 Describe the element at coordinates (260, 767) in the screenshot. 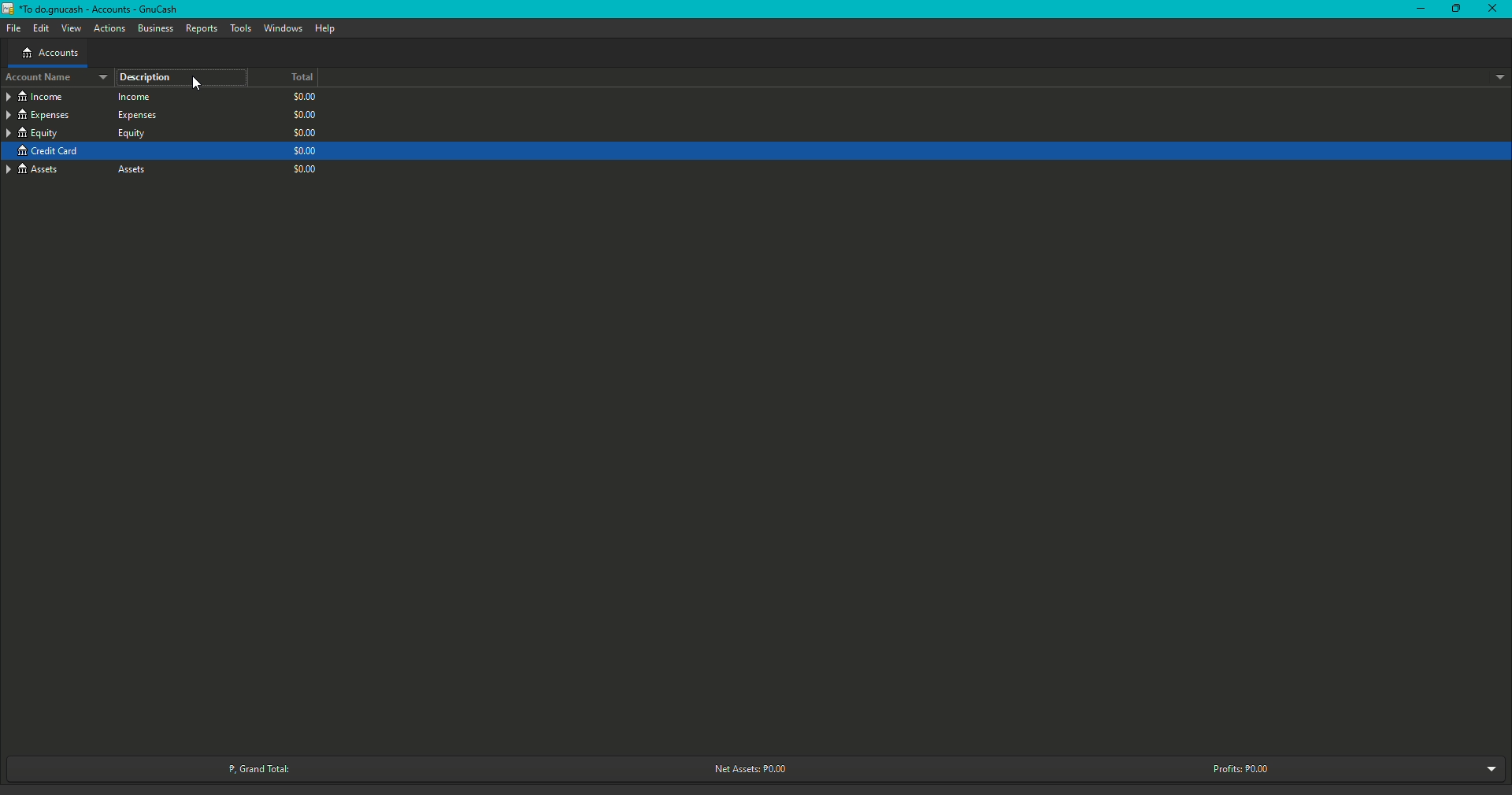

I see `Grand Total` at that location.